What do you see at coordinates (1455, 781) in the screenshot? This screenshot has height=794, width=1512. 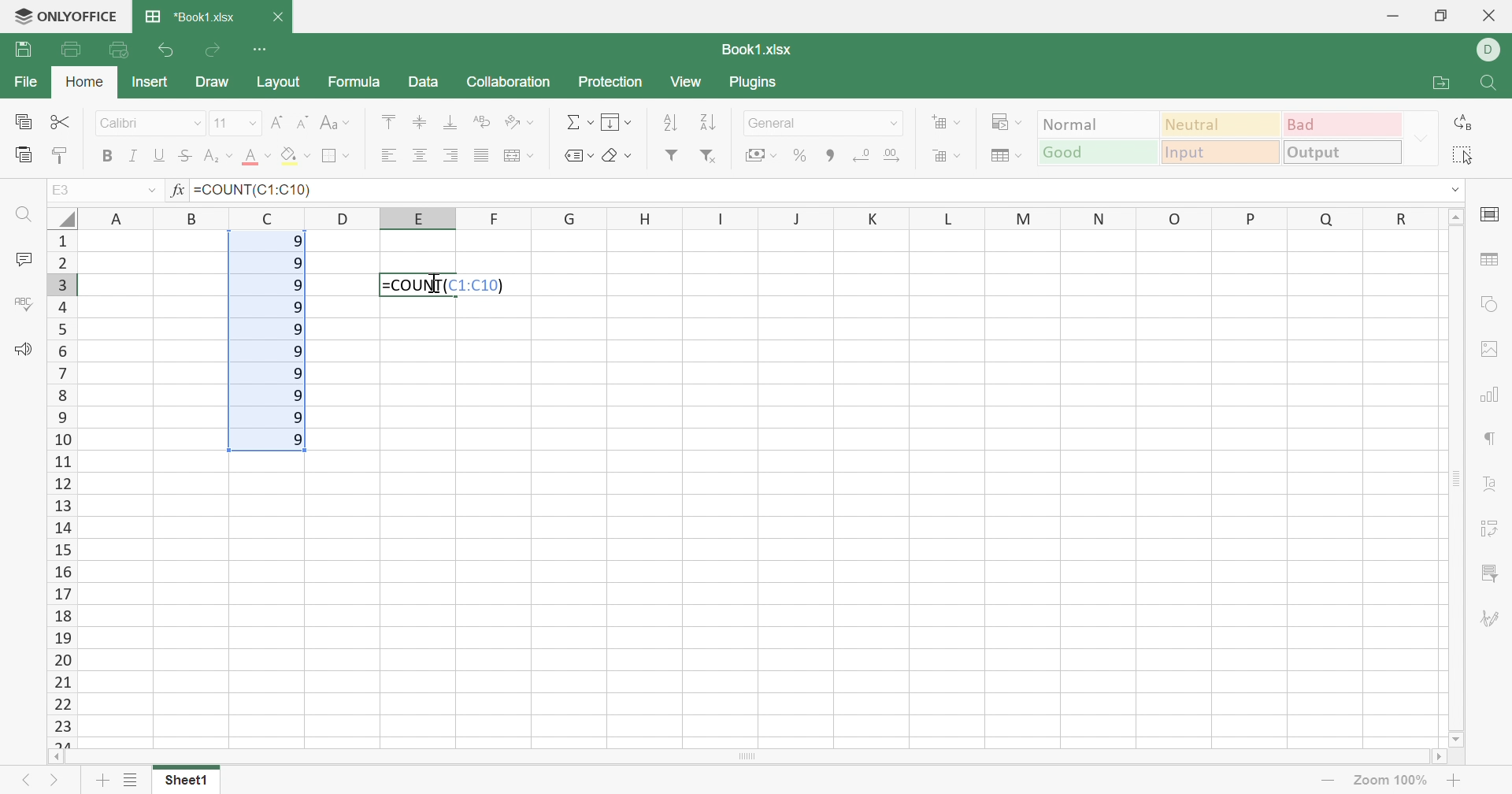 I see `Zoom in` at bounding box center [1455, 781].